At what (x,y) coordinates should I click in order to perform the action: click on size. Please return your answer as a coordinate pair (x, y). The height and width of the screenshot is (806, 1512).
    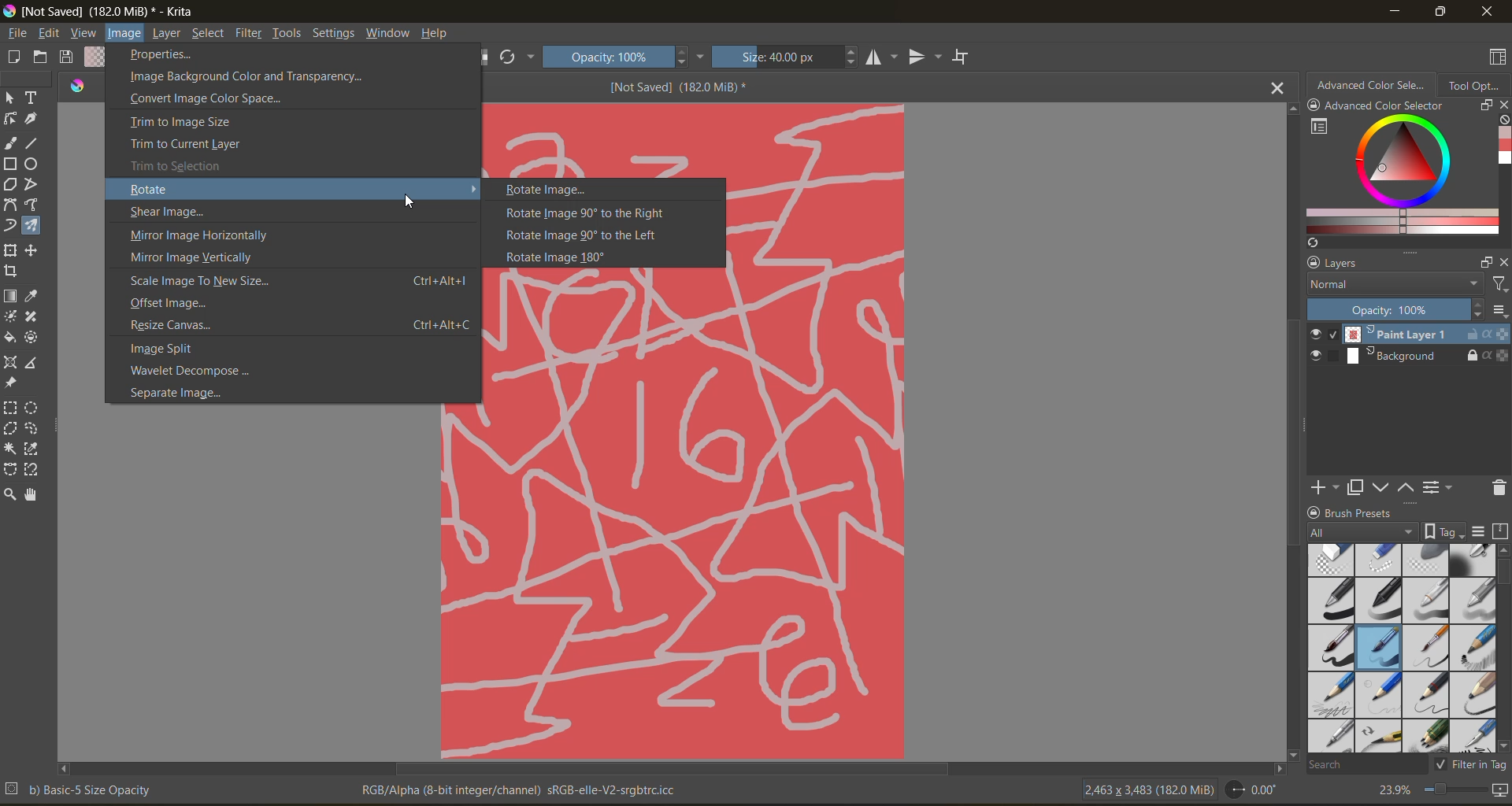
    Looking at the image, I should click on (791, 56).